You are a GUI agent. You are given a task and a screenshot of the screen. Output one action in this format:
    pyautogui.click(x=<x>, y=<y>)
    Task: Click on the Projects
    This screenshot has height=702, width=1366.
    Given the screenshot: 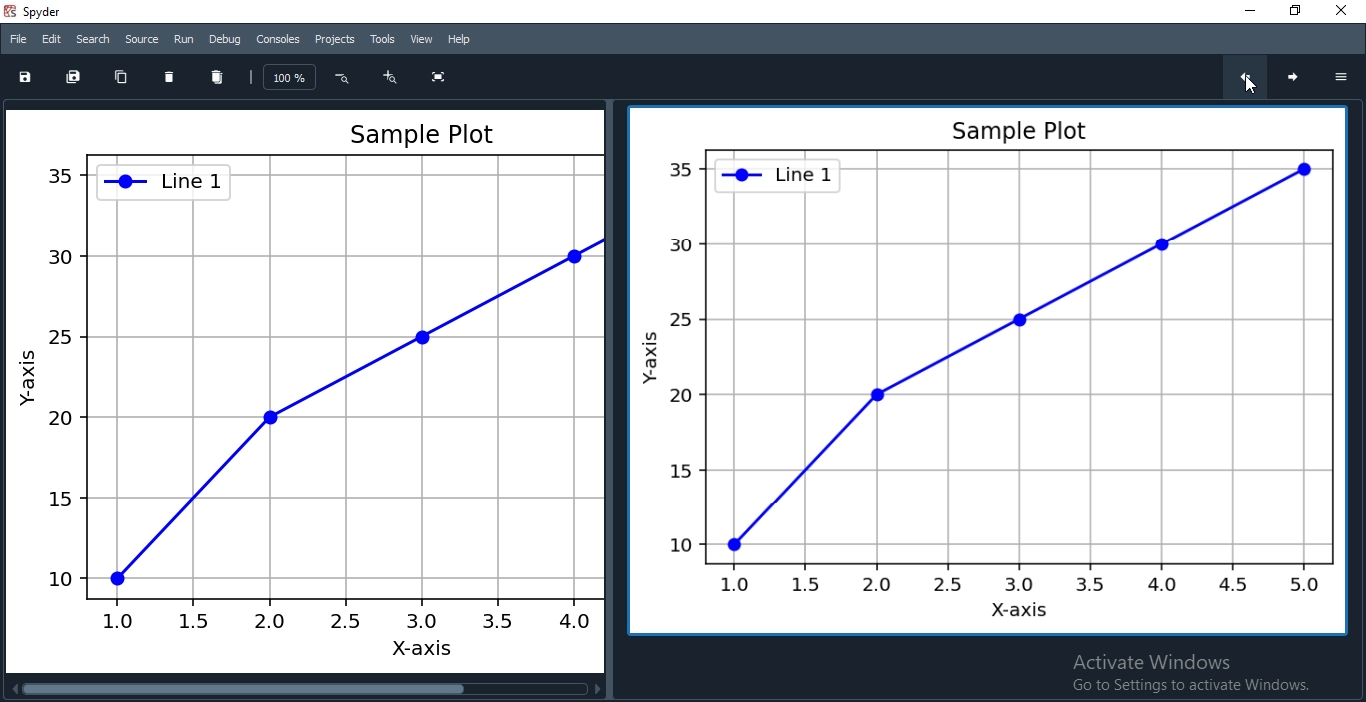 What is the action you would take?
    pyautogui.click(x=335, y=39)
    